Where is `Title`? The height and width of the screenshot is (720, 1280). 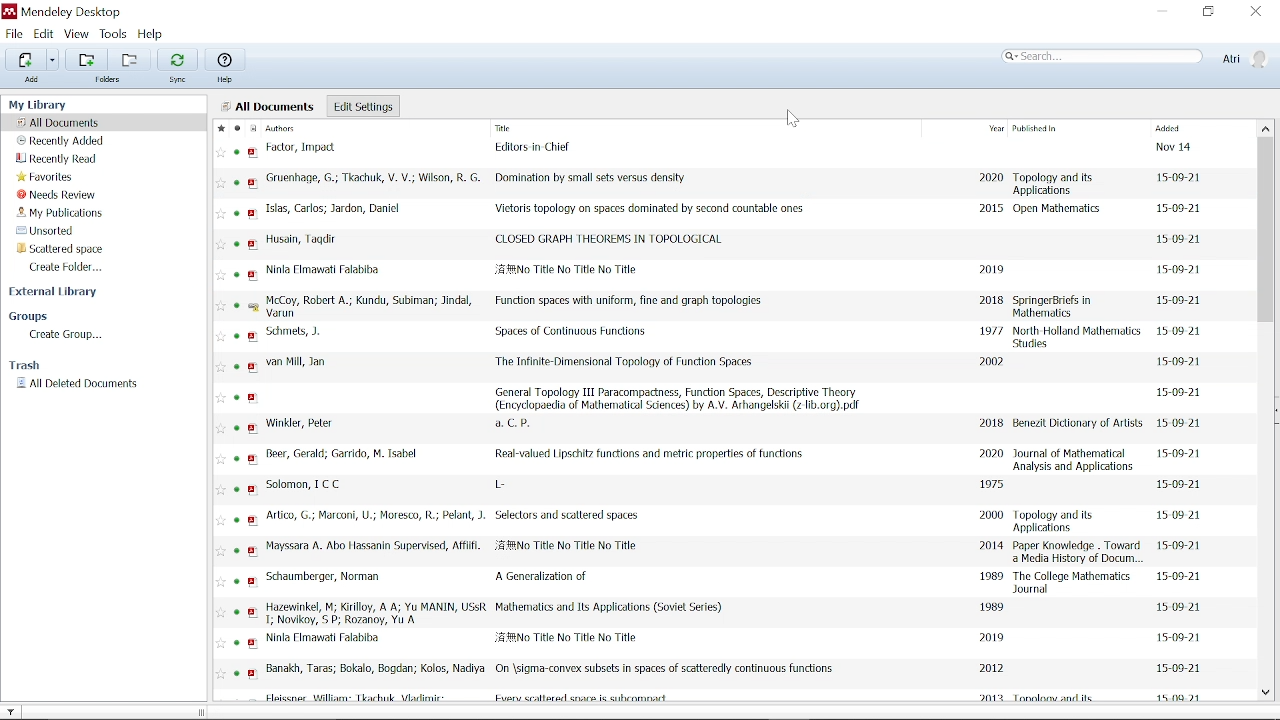
Title is located at coordinates (535, 128).